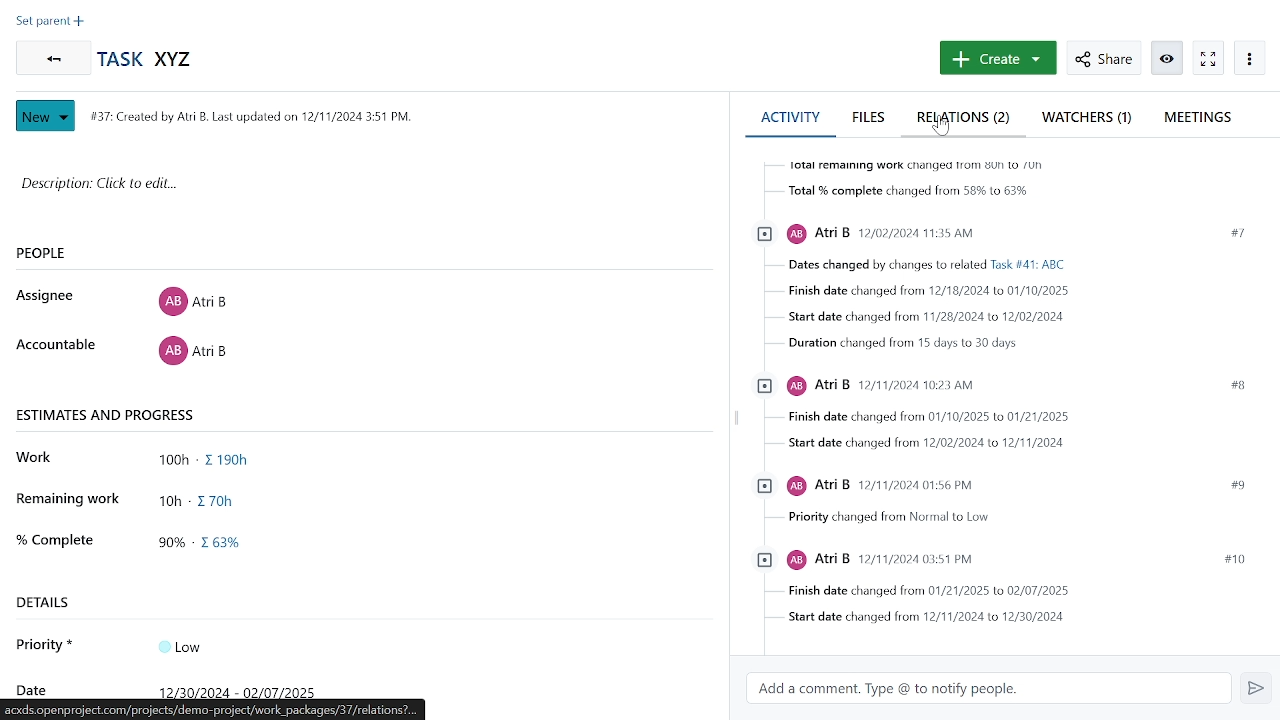 This screenshot has height=720, width=1280. Describe the element at coordinates (30, 688) in the screenshot. I see `date` at that location.